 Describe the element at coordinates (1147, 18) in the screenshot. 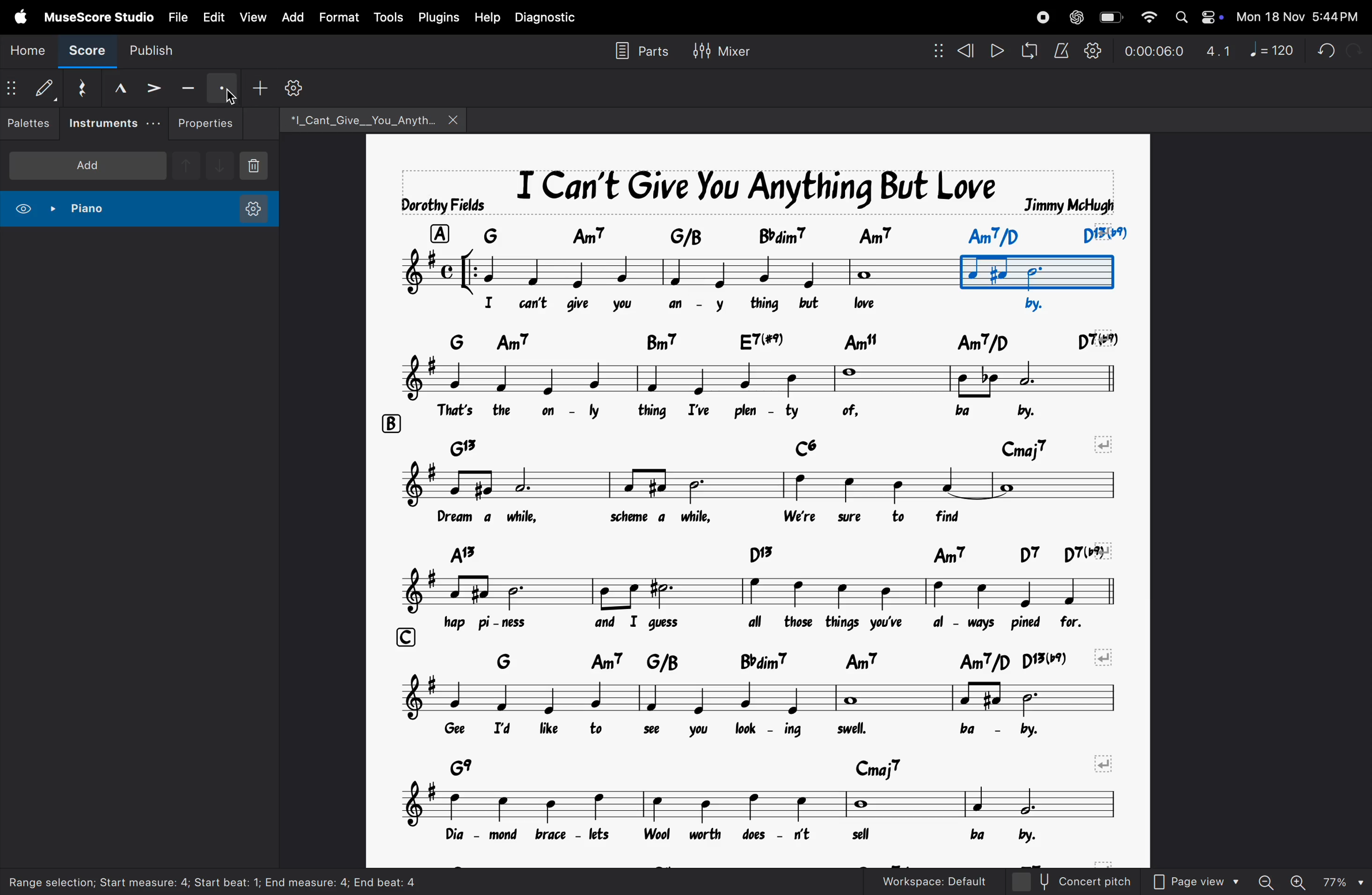

I see `wifi` at that location.